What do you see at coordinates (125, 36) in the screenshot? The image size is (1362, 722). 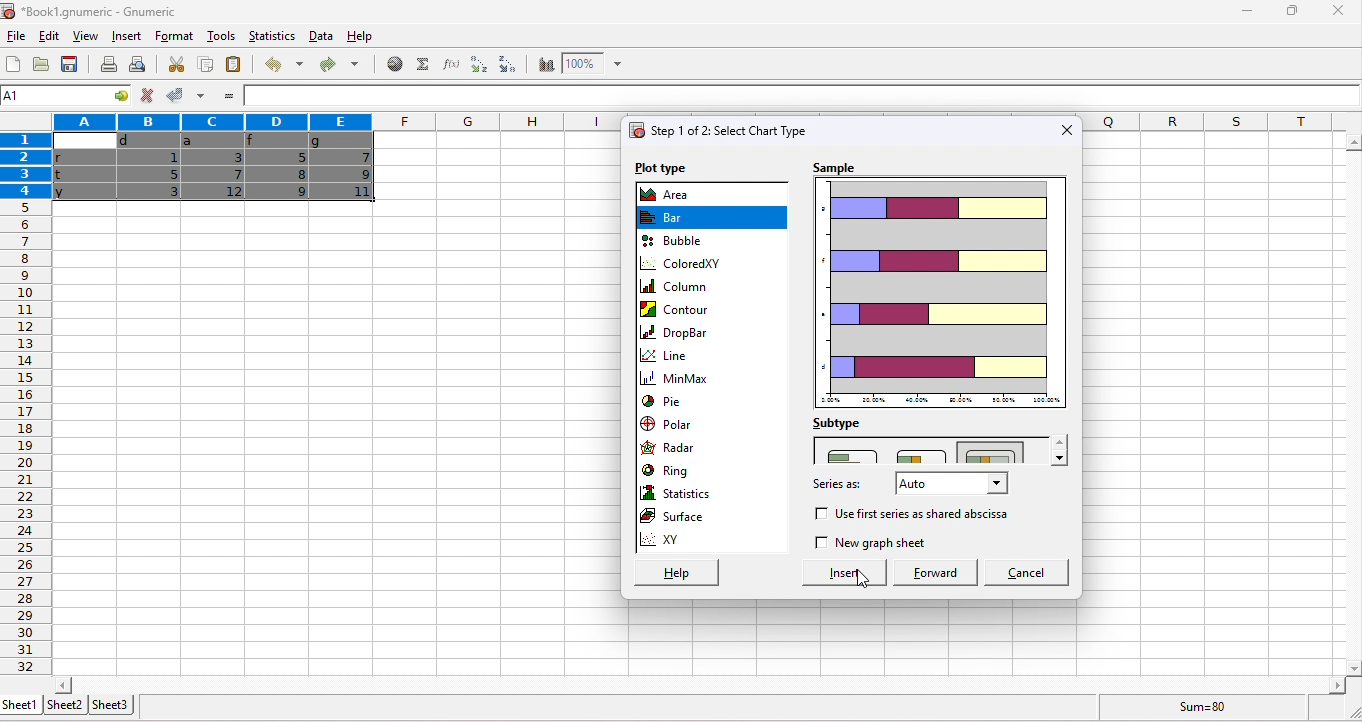 I see `insert` at bounding box center [125, 36].